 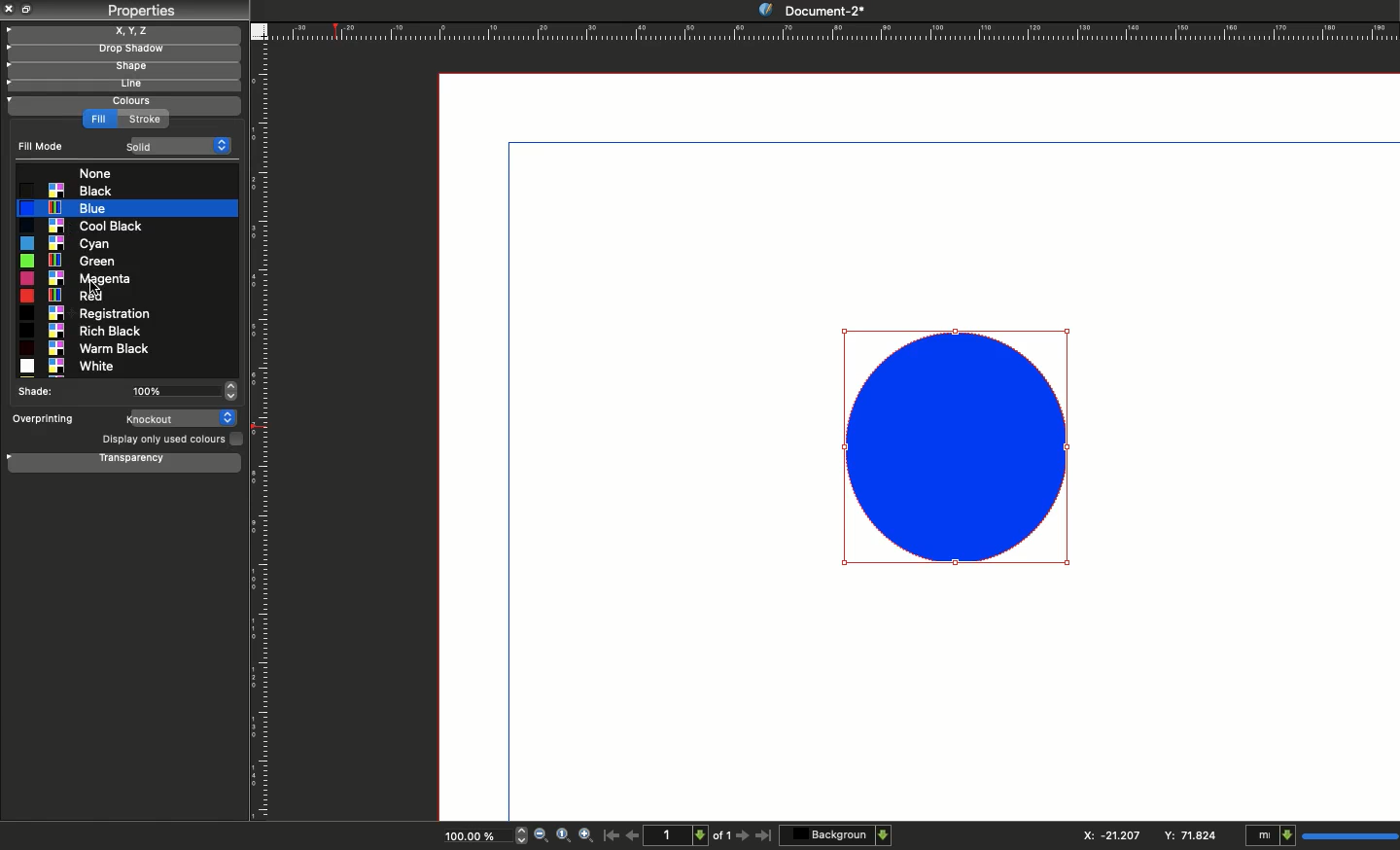 What do you see at coordinates (67, 261) in the screenshot?
I see `Green` at bounding box center [67, 261].